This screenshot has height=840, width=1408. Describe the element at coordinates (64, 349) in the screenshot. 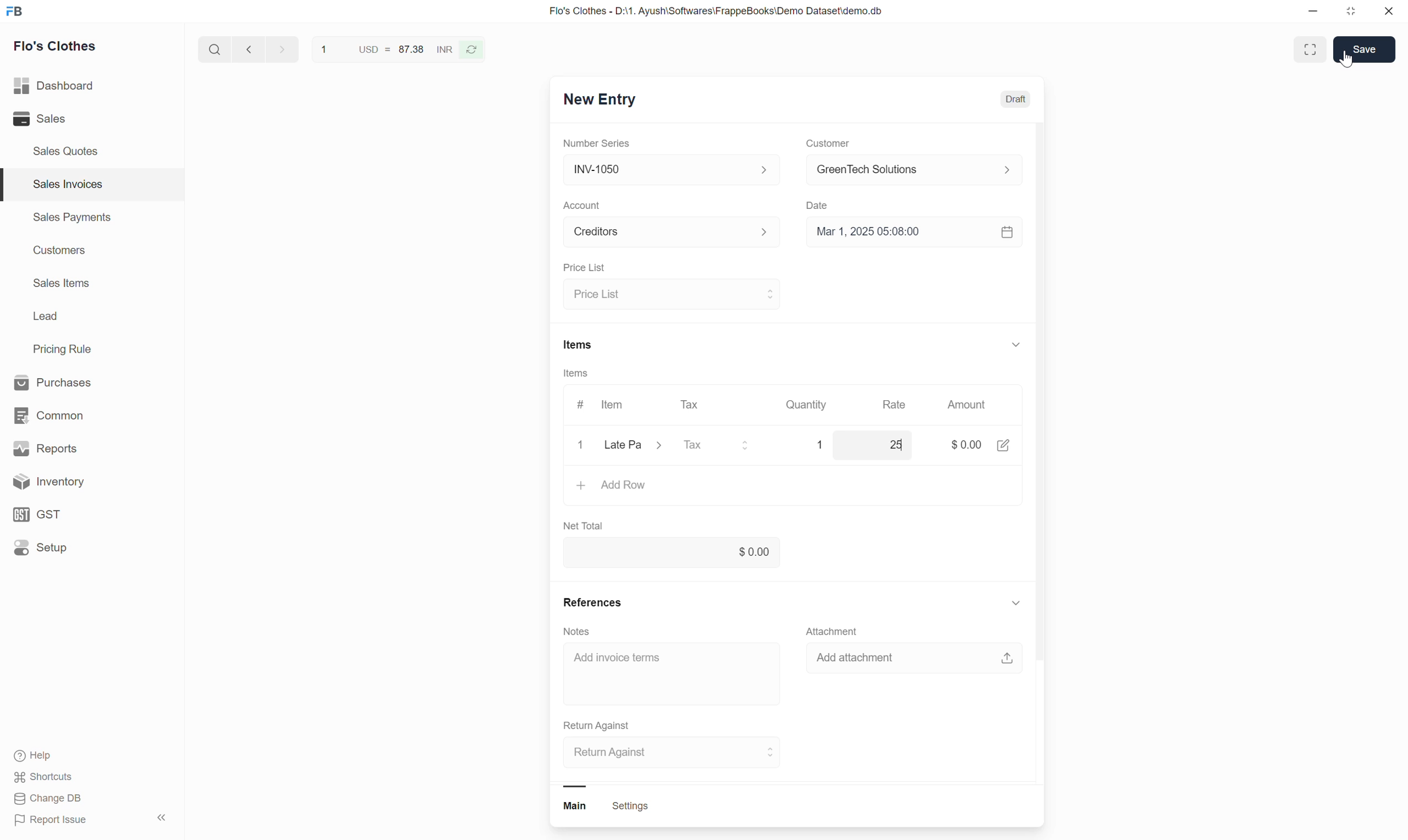

I see `Pricing Rule` at that location.